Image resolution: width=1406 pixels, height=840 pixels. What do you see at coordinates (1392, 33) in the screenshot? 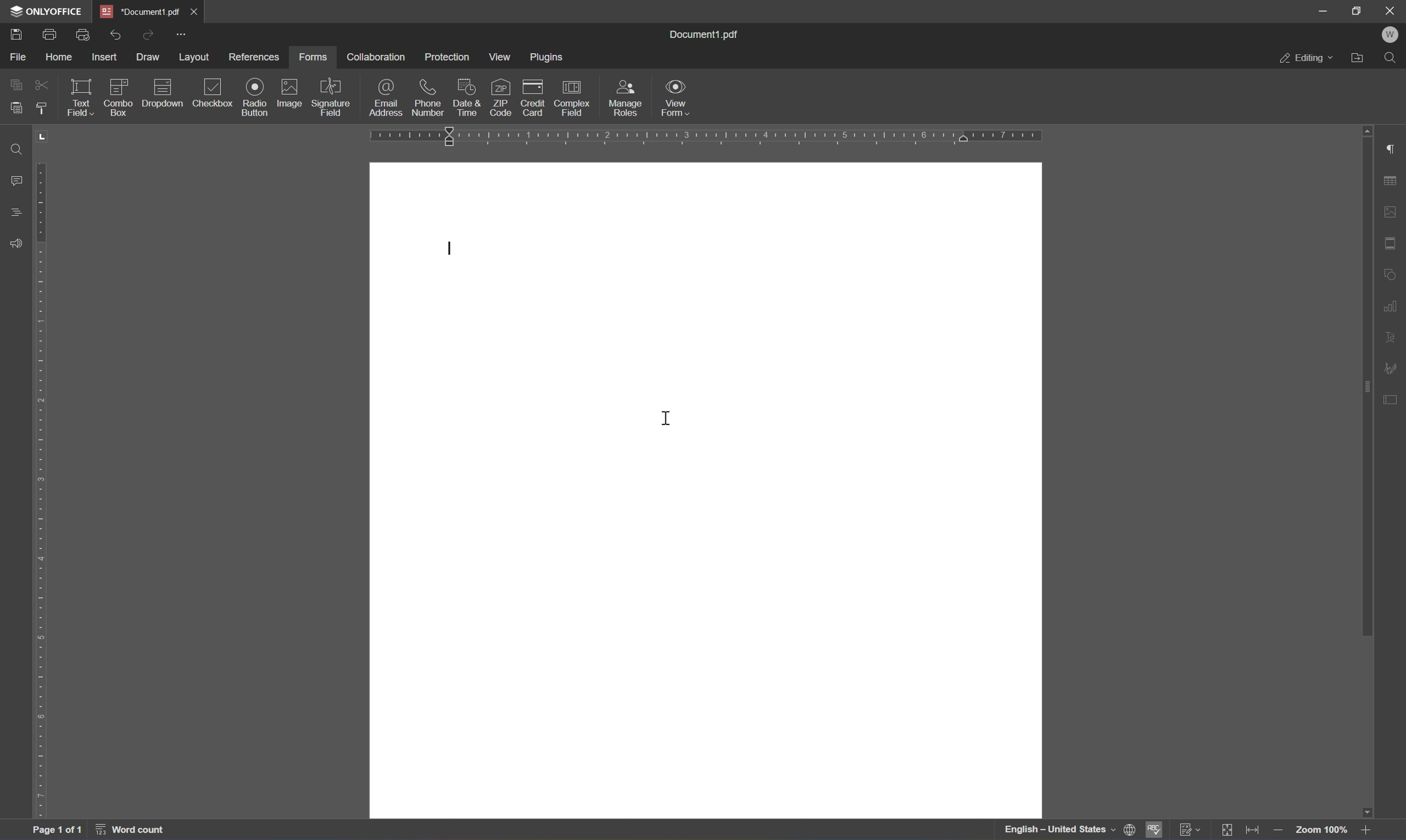
I see `welcome` at bounding box center [1392, 33].